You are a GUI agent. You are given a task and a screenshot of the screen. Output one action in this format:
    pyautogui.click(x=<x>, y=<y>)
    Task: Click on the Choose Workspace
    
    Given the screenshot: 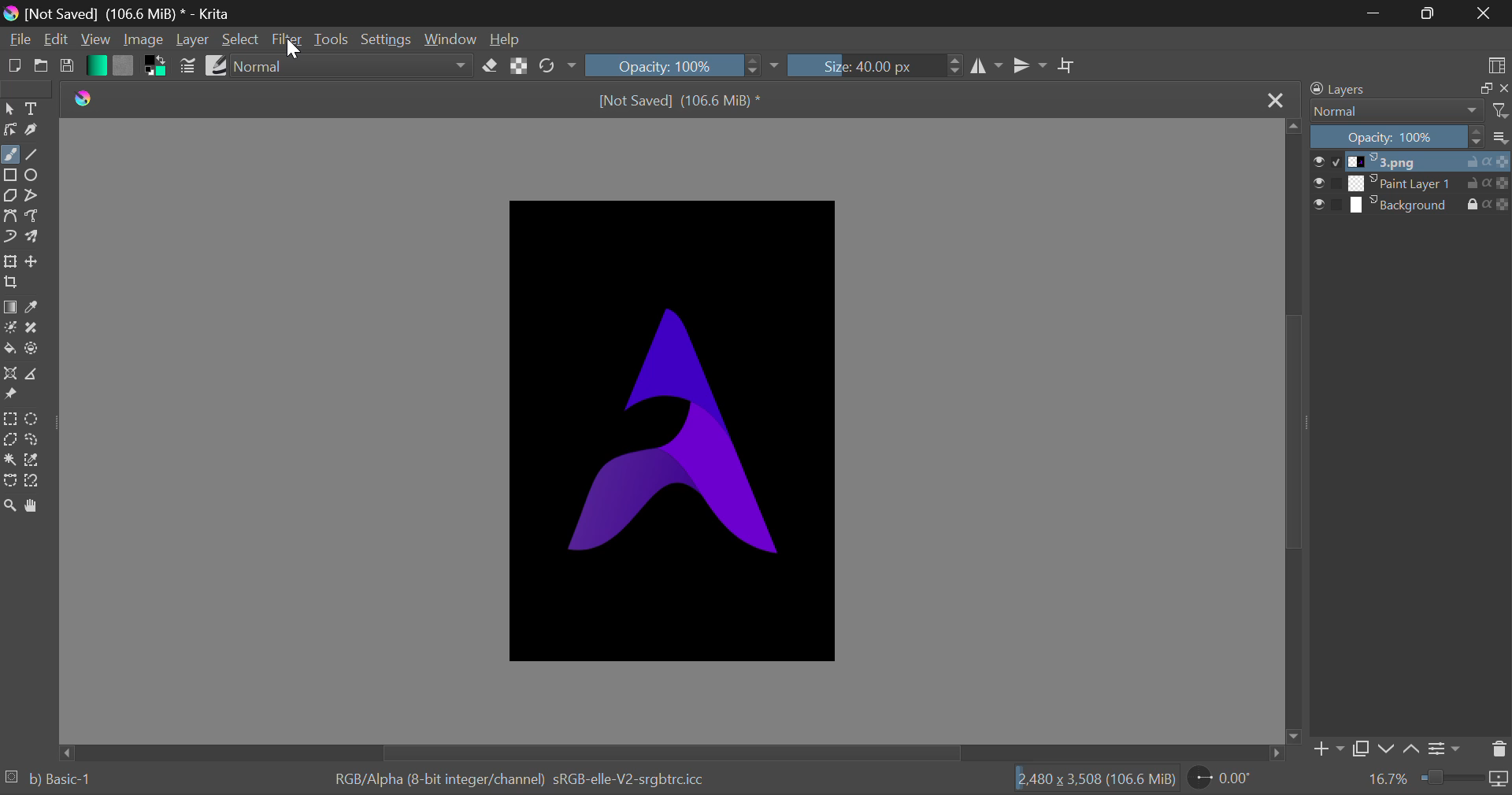 What is the action you would take?
    pyautogui.click(x=1498, y=64)
    